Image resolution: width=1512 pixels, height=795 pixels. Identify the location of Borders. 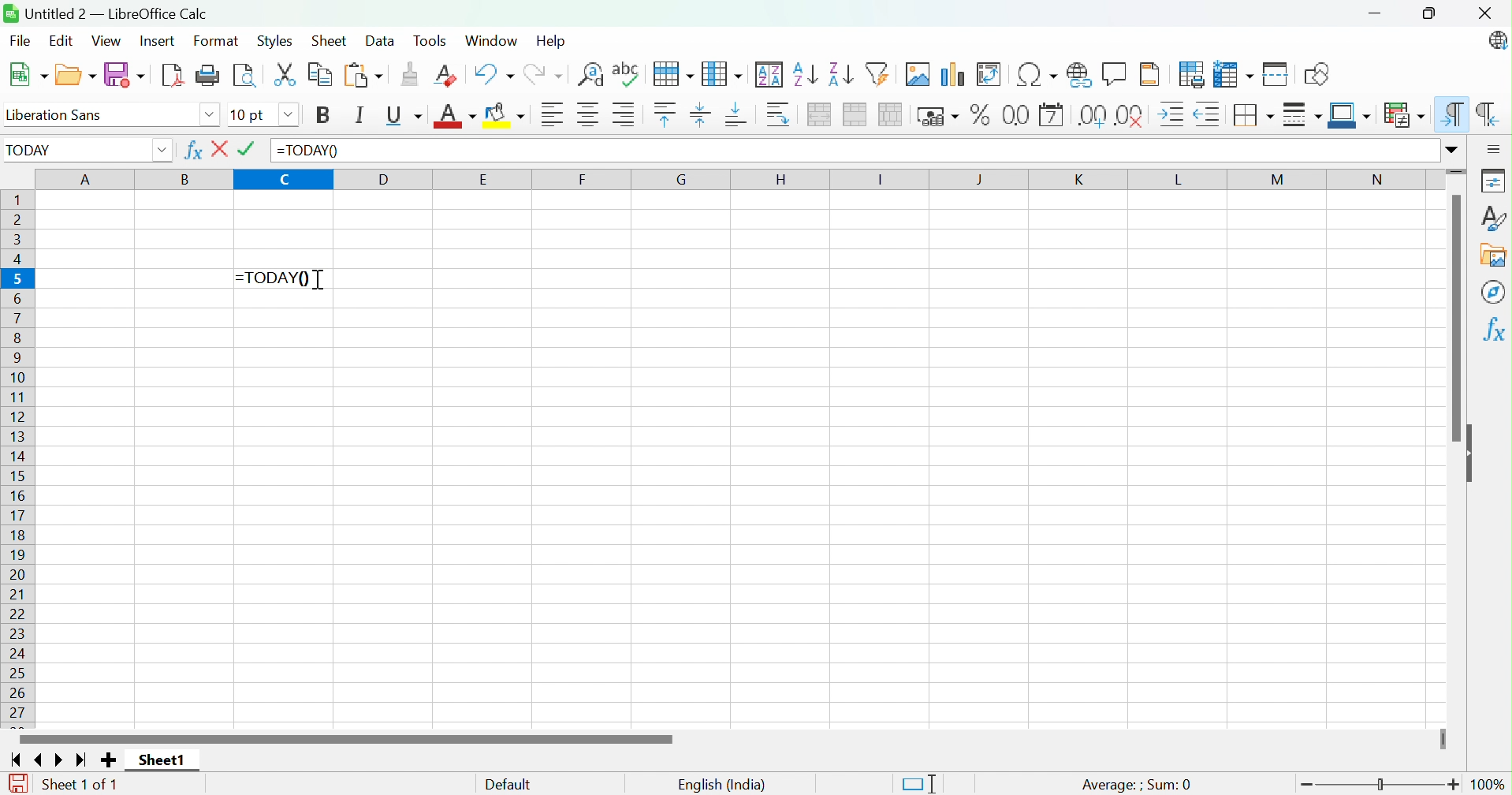
(1257, 114).